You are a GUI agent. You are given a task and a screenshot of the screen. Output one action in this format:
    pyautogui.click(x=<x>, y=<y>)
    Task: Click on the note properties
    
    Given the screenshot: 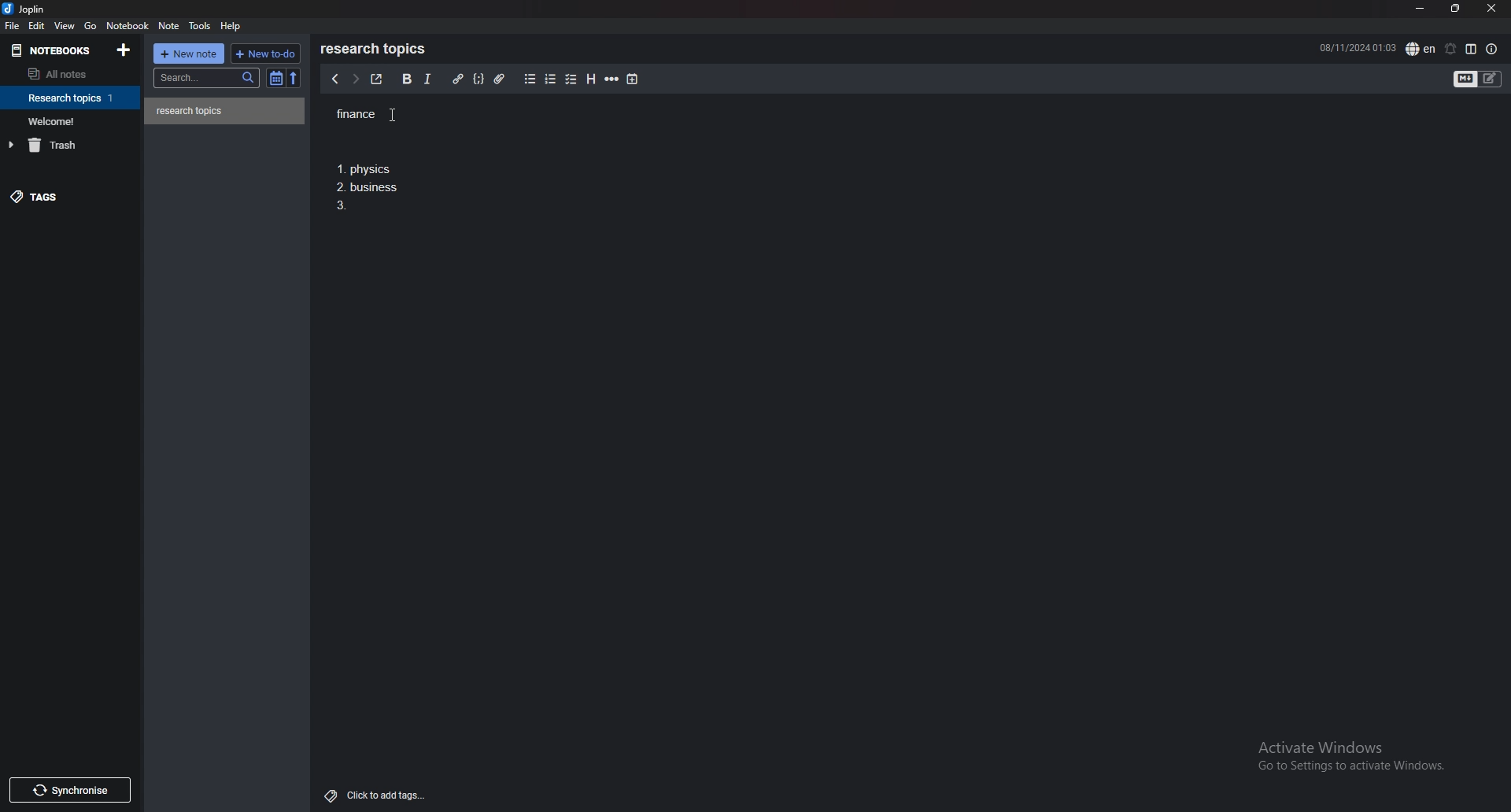 What is the action you would take?
    pyautogui.click(x=1492, y=49)
    